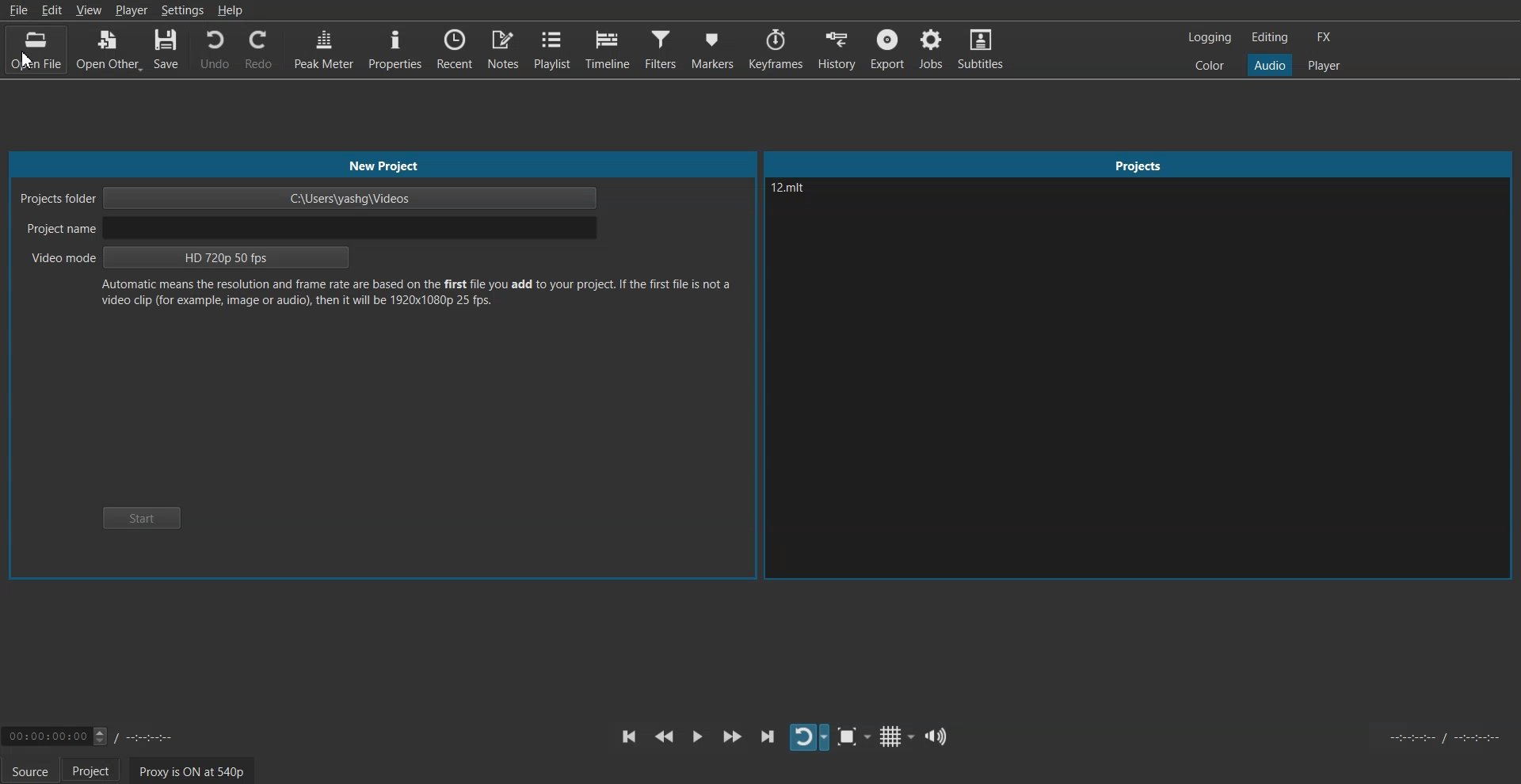 The height and width of the screenshot is (784, 1521). Describe the element at coordinates (54, 9) in the screenshot. I see `Edit` at that location.